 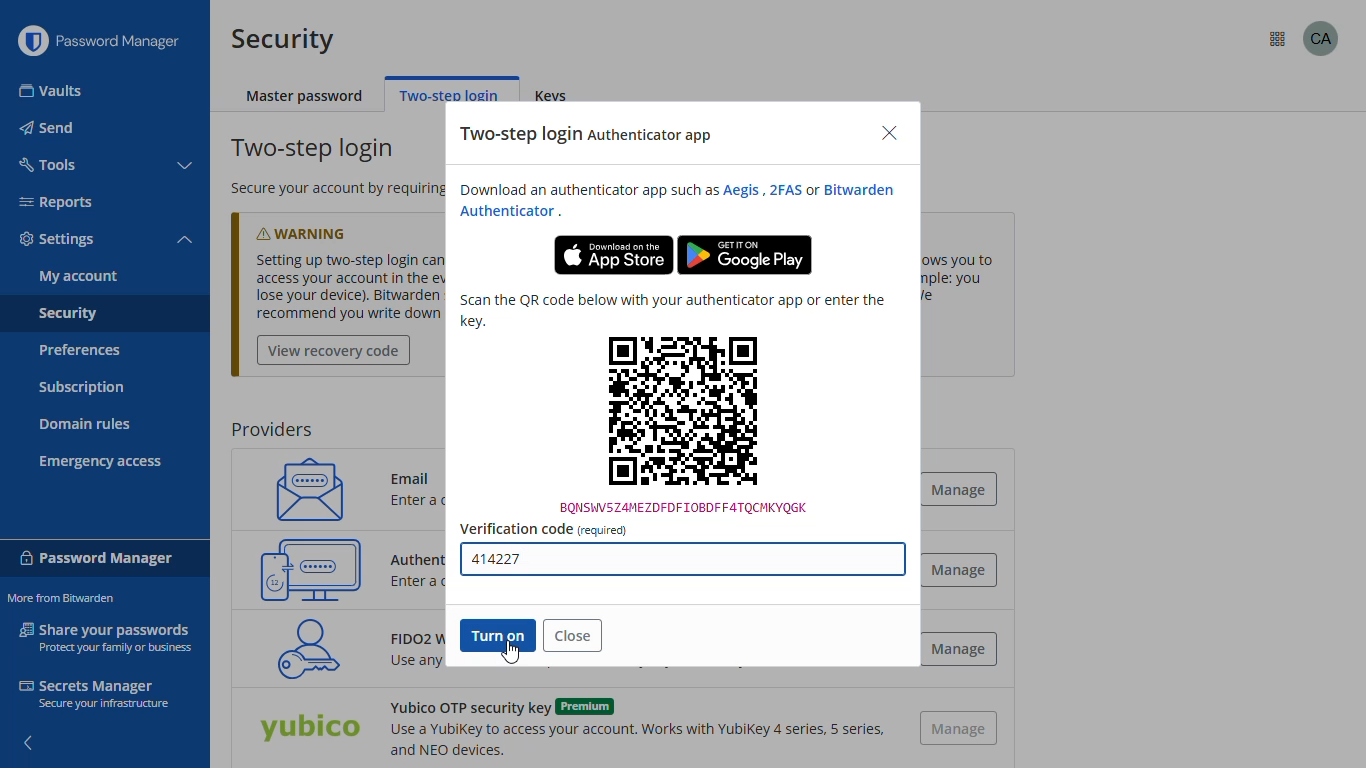 What do you see at coordinates (126, 41) in the screenshot?
I see `password manager` at bounding box center [126, 41].